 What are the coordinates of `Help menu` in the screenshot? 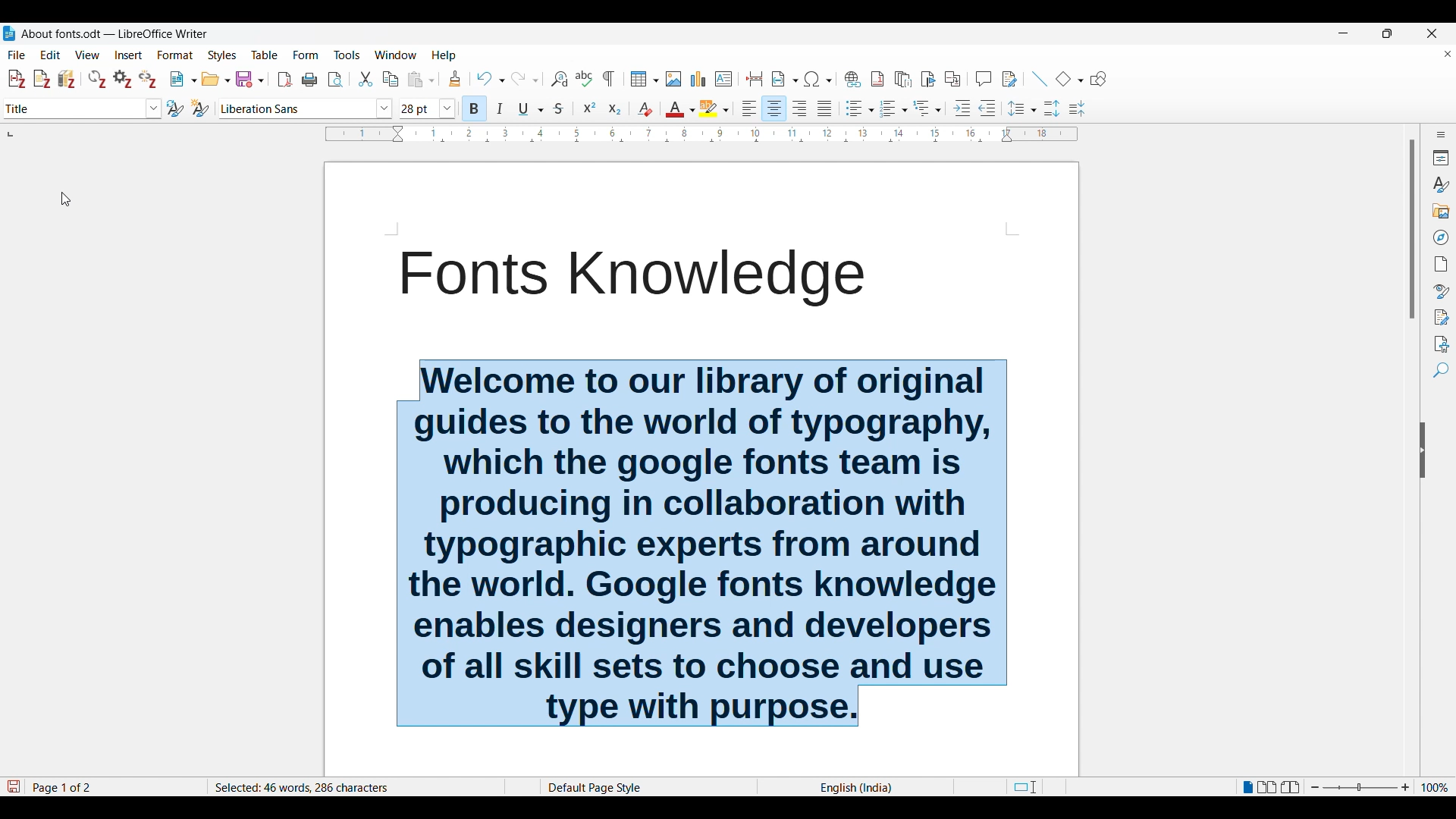 It's located at (444, 56).